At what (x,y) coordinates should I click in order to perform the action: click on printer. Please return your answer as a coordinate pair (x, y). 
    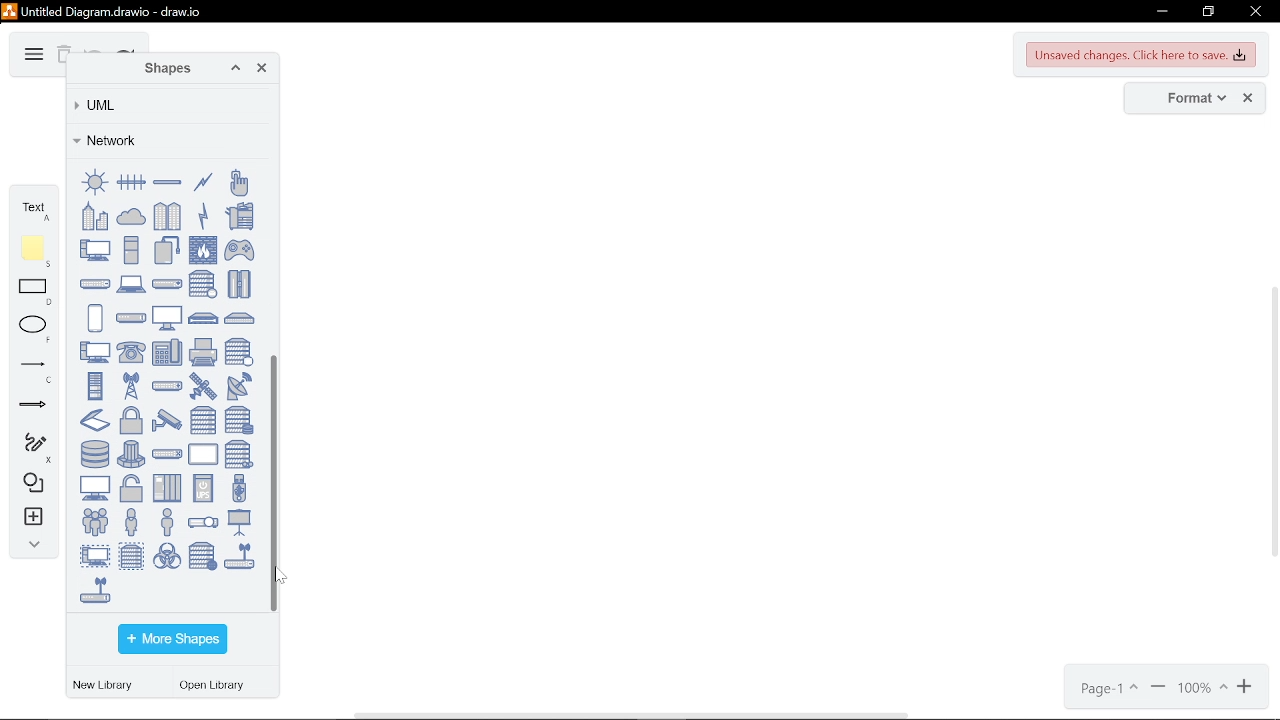
    Looking at the image, I should click on (203, 352).